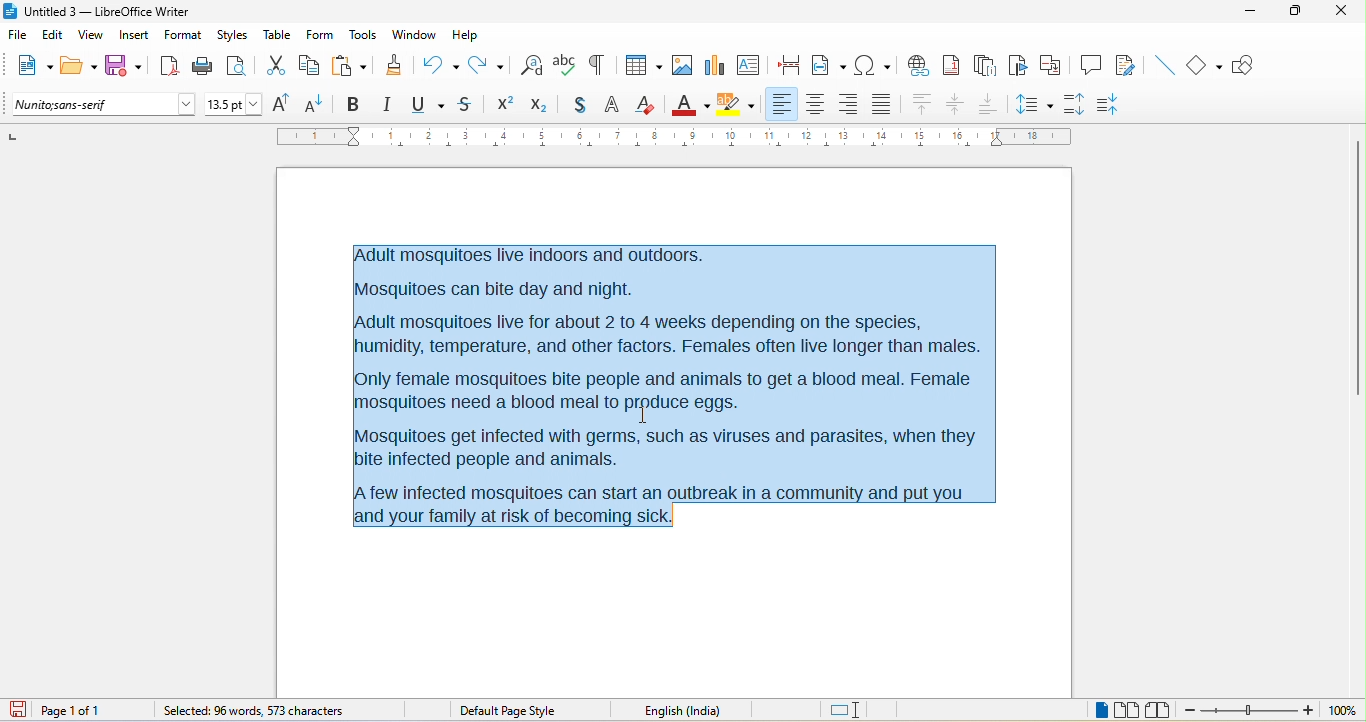 The width and height of the screenshot is (1366, 722). What do you see at coordinates (532, 63) in the screenshot?
I see `find and replace` at bounding box center [532, 63].